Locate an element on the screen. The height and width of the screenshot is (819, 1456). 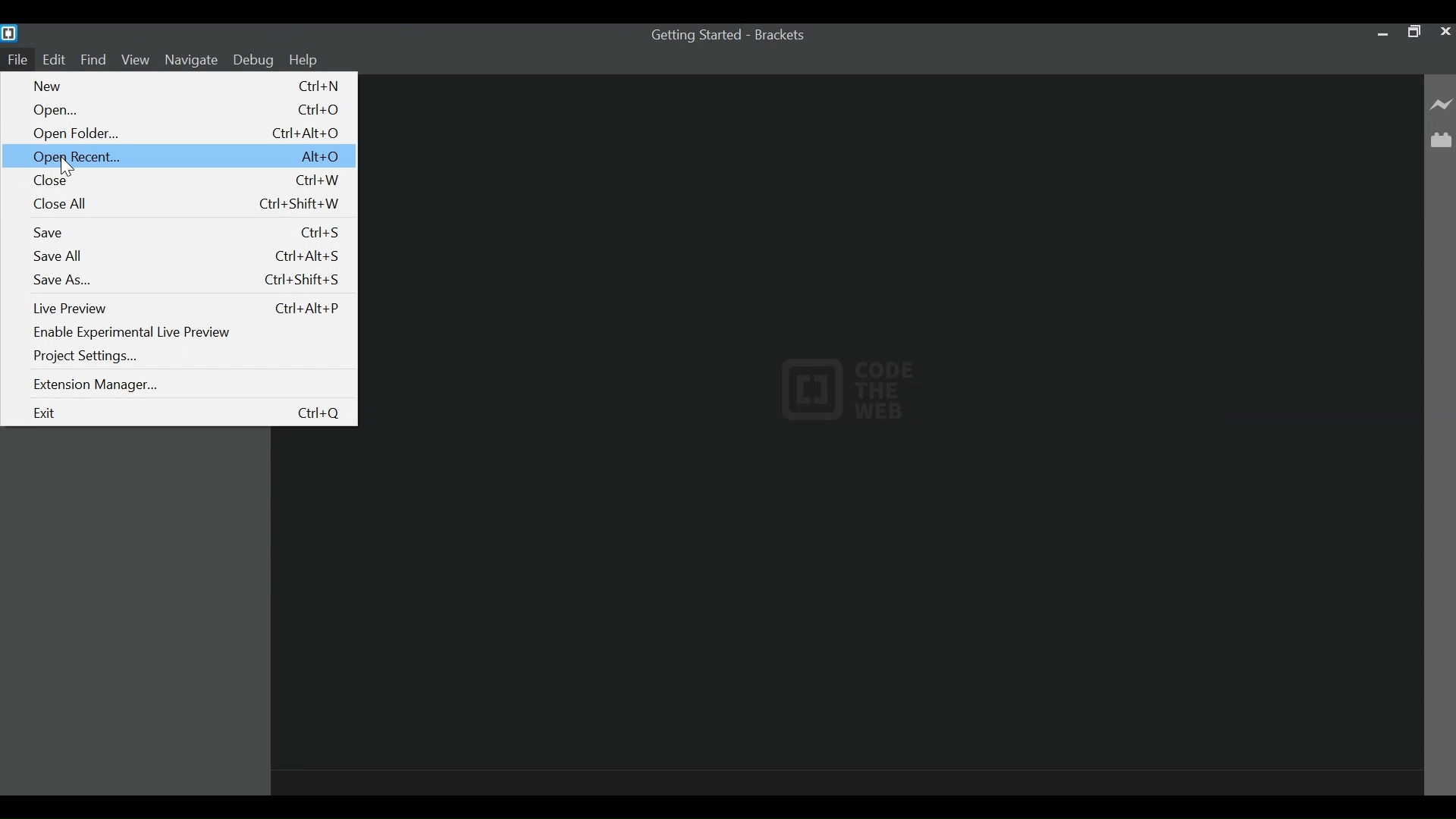
Edit is located at coordinates (53, 60).